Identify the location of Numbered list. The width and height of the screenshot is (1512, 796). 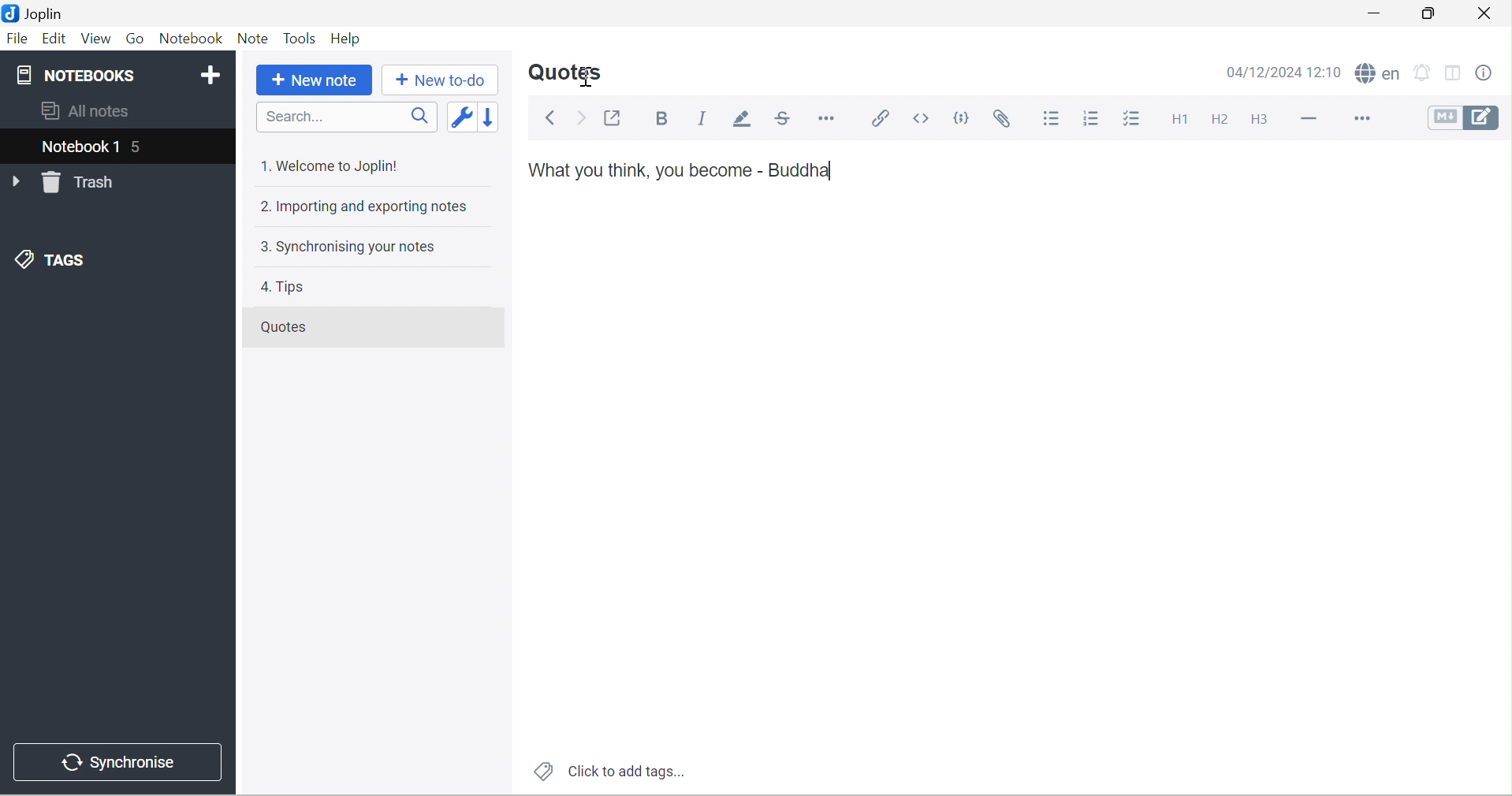
(1090, 120).